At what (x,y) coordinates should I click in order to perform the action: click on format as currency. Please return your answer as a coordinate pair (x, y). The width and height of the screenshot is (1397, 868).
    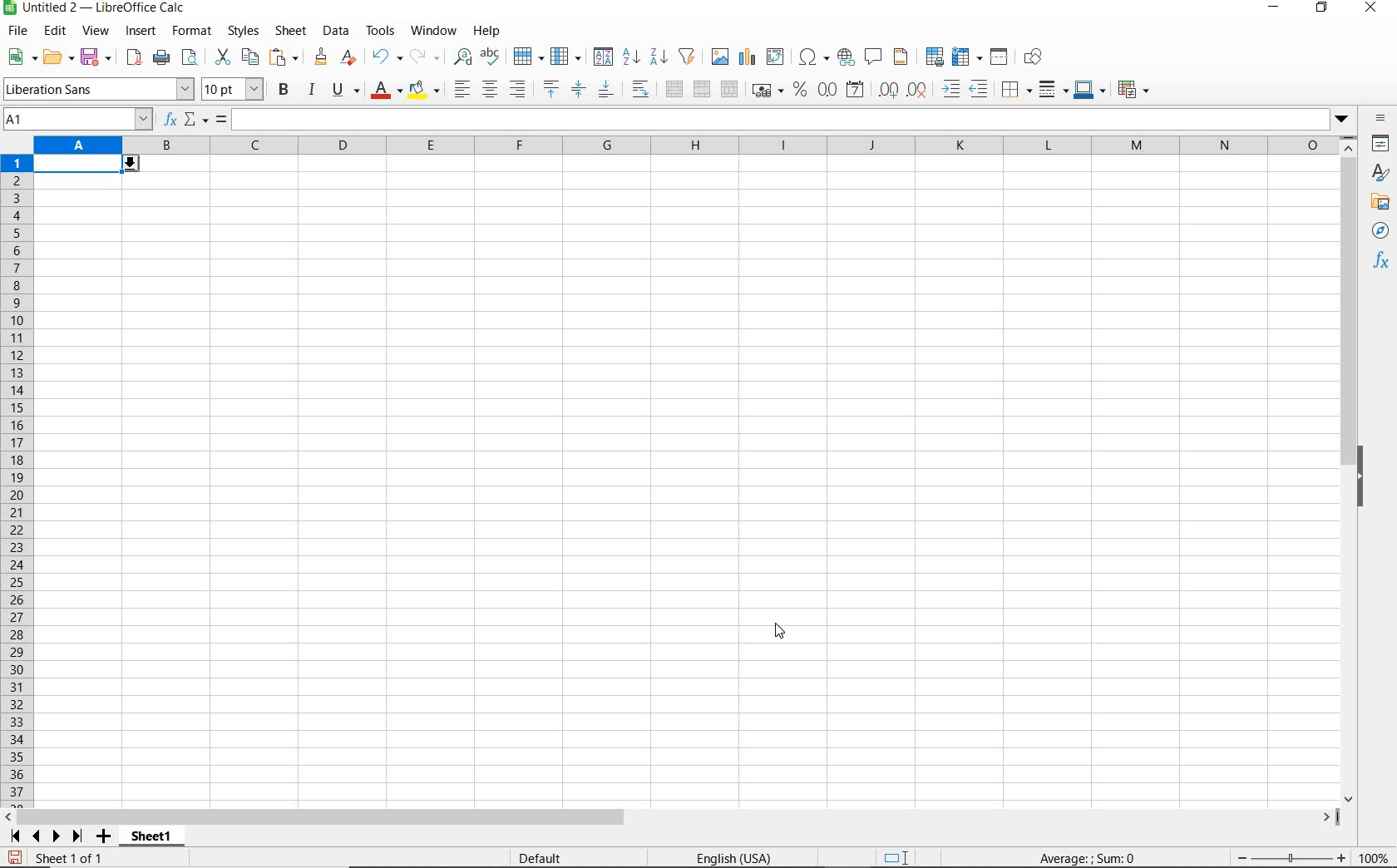
    Looking at the image, I should click on (767, 88).